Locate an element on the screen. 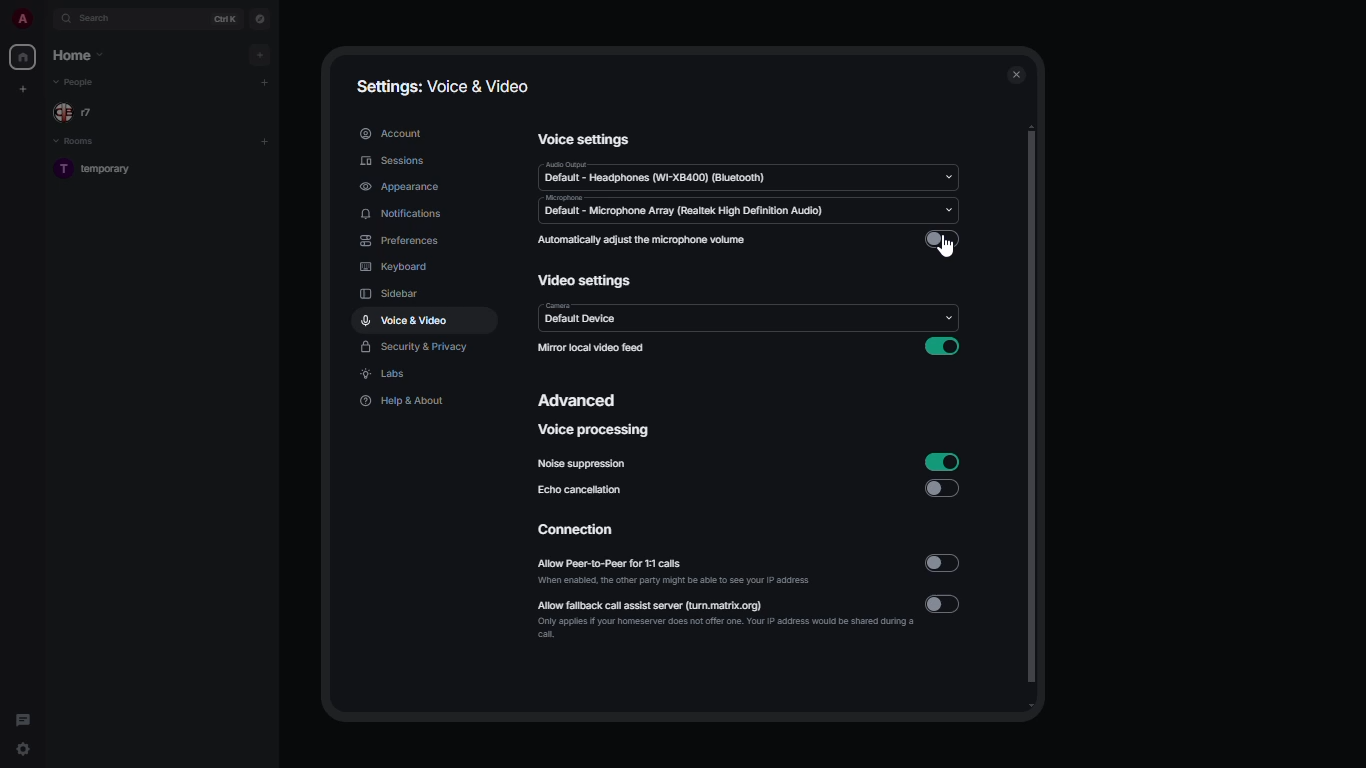 The height and width of the screenshot is (768, 1366). drop down is located at coordinates (953, 210).